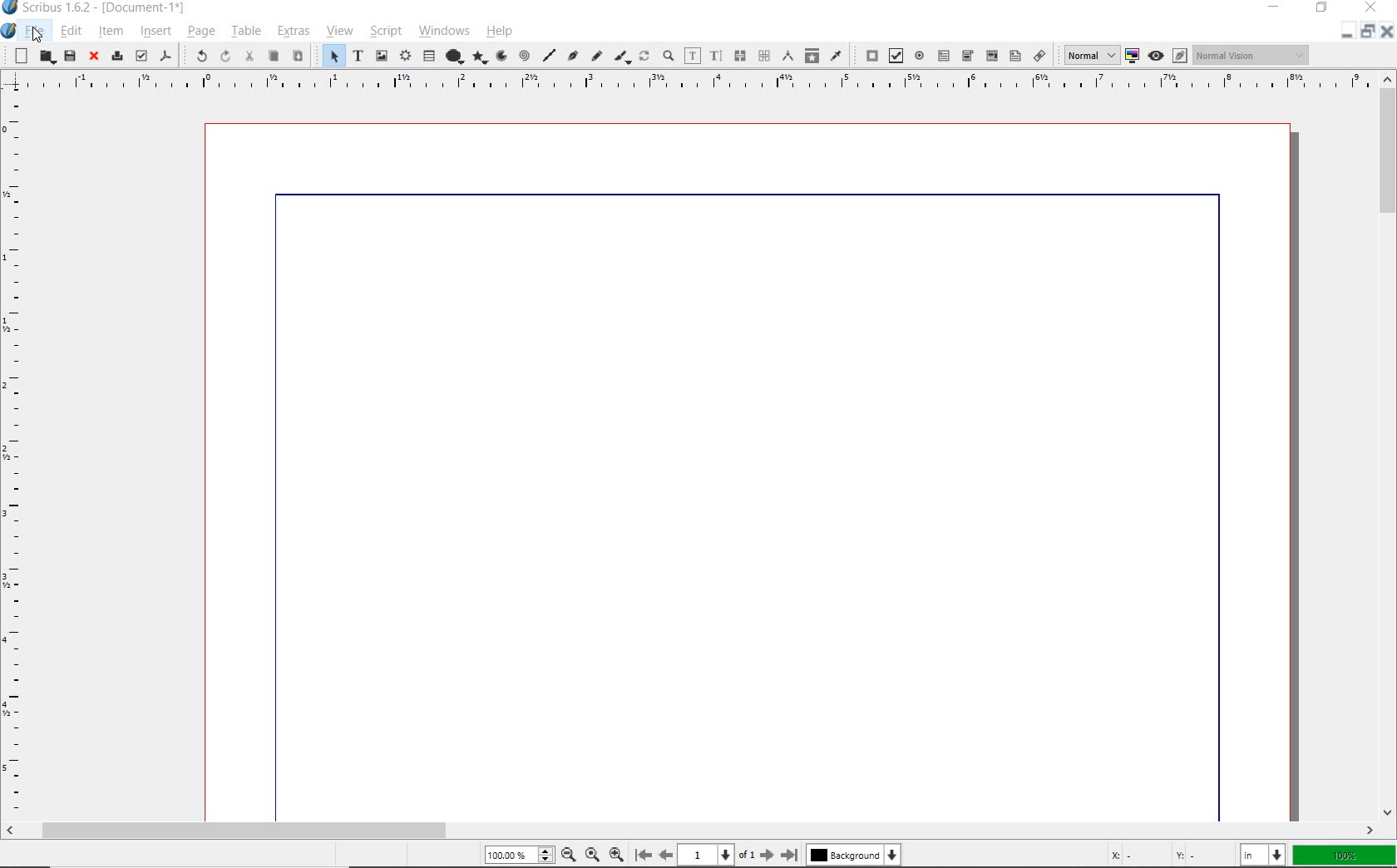 Image resolution: width=1397 pixels, height=868 pixels. I want to click on link text frames, so click(739, 56).